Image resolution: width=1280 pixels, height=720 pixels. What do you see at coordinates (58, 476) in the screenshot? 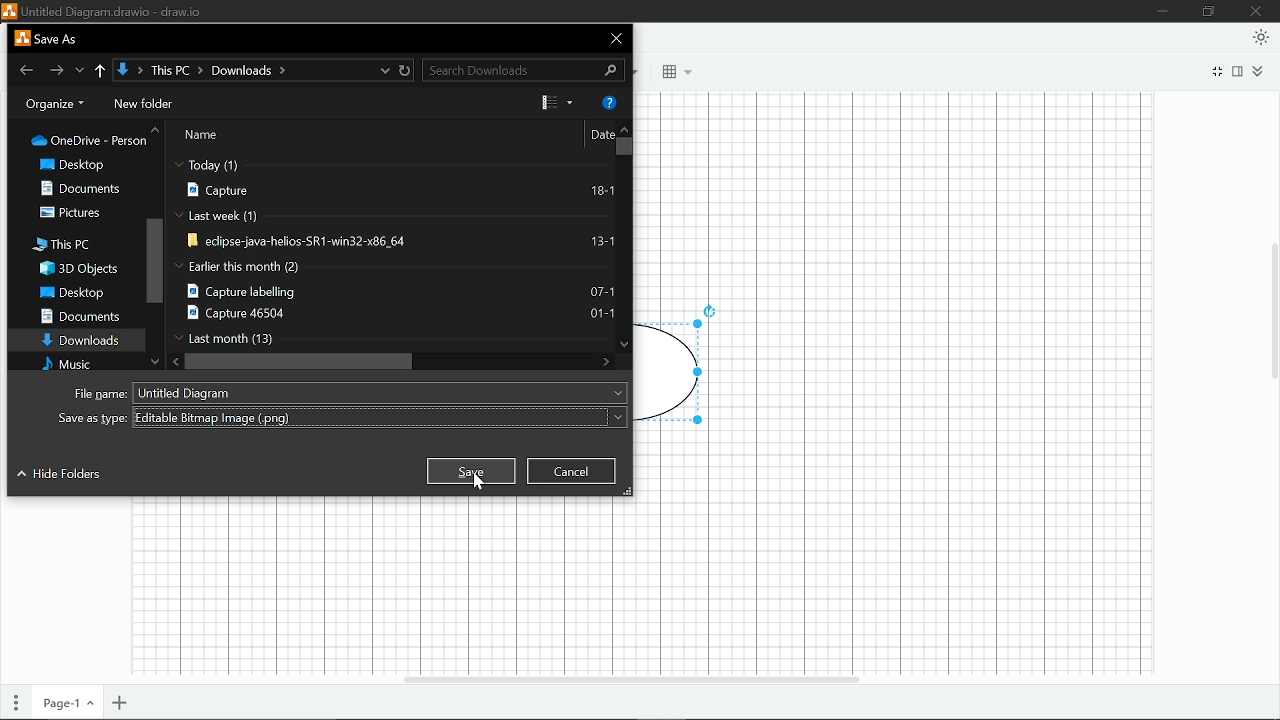
I see `Hide folders` at bounding box center [58, 476].